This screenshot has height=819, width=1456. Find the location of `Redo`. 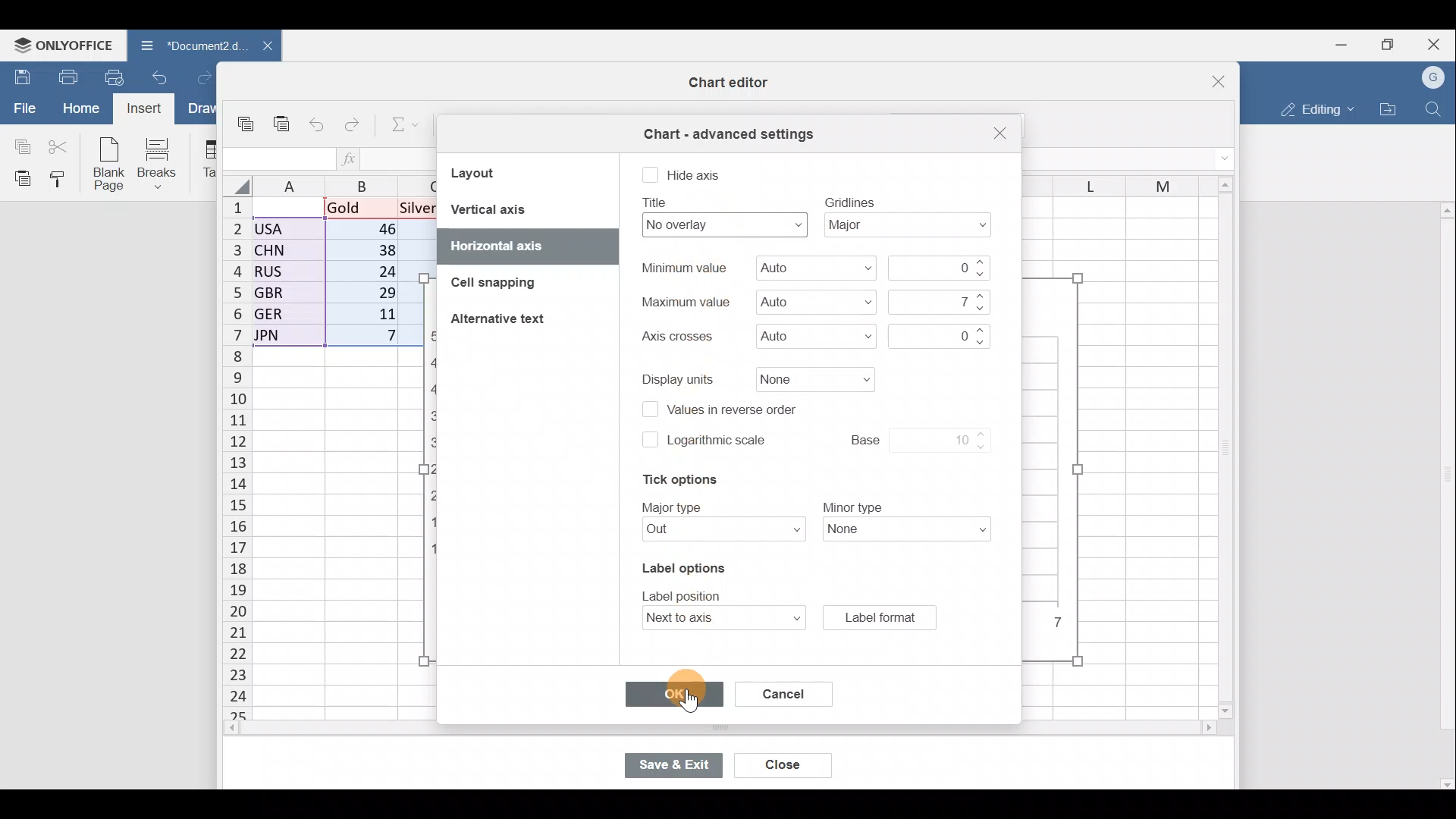

Redo is located at coordinates (200, 77).